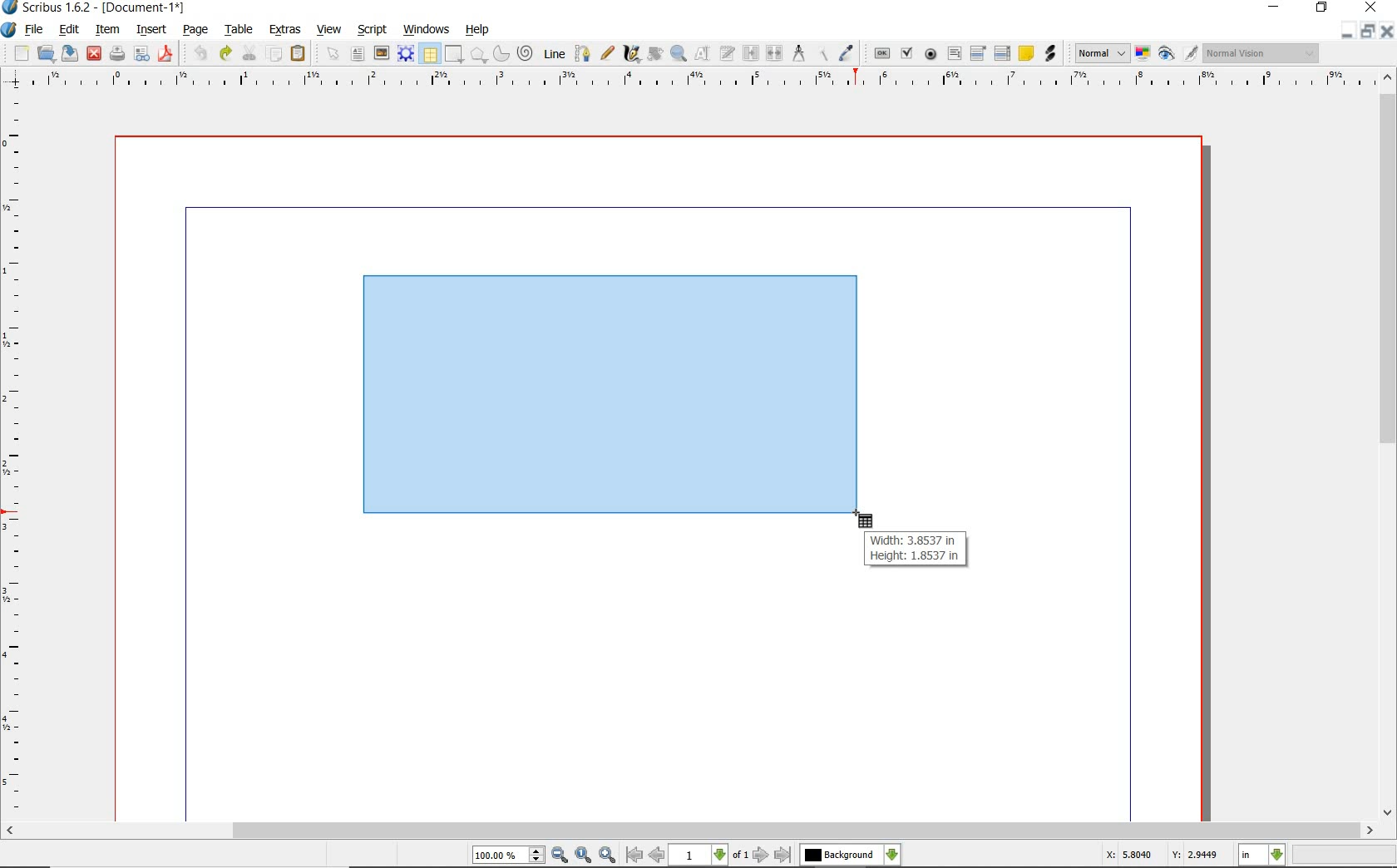 Image resolution: width=1397 pixels, height=868 pixels. I want to click on pdf push button, so click(882, 52).